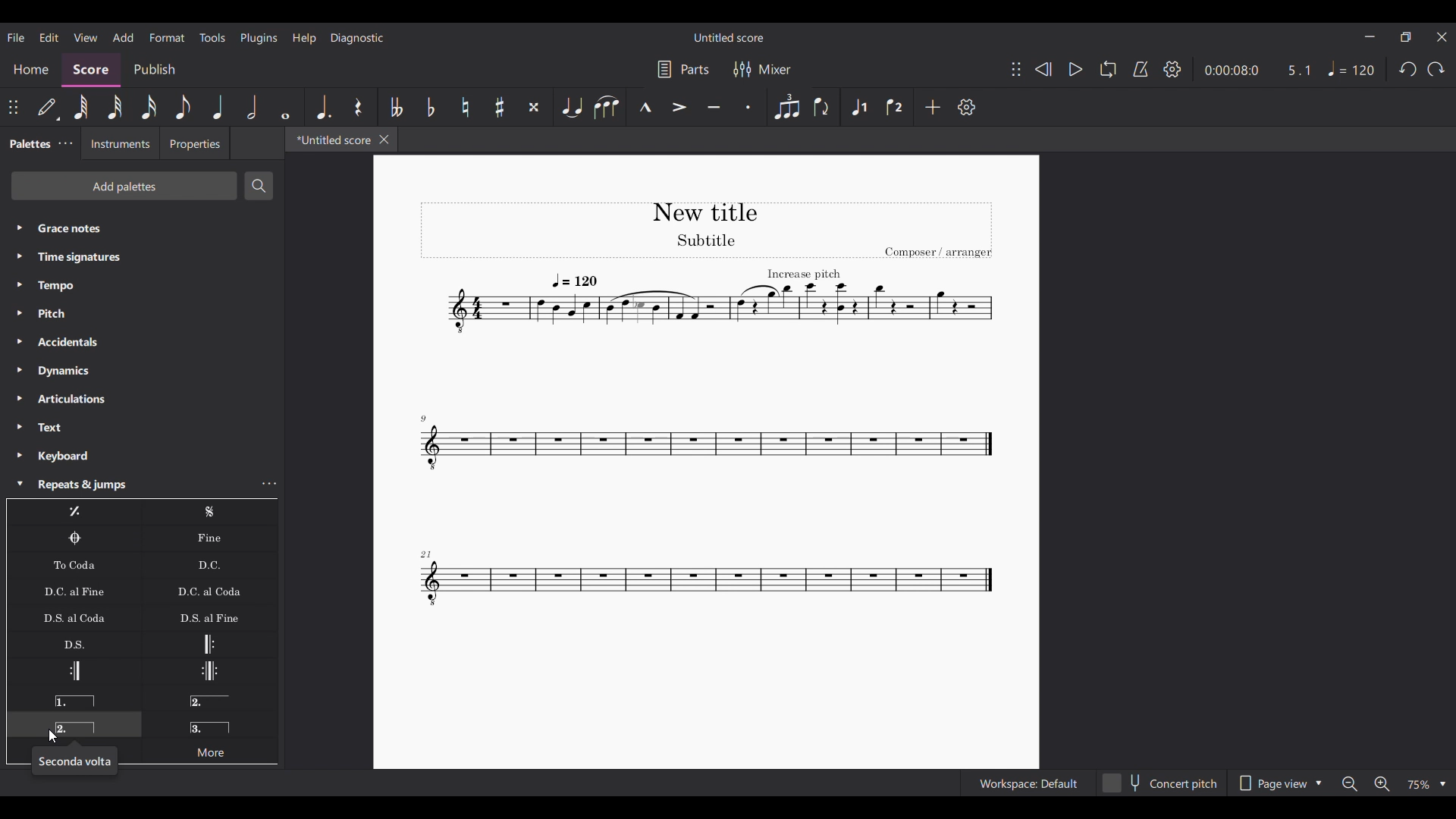 Image resolution: width=1456 pixels, height=819 pixels. Describe the element at coordinates (535, 107) in the screenshot. I see `Toggle double sharp` at that location.